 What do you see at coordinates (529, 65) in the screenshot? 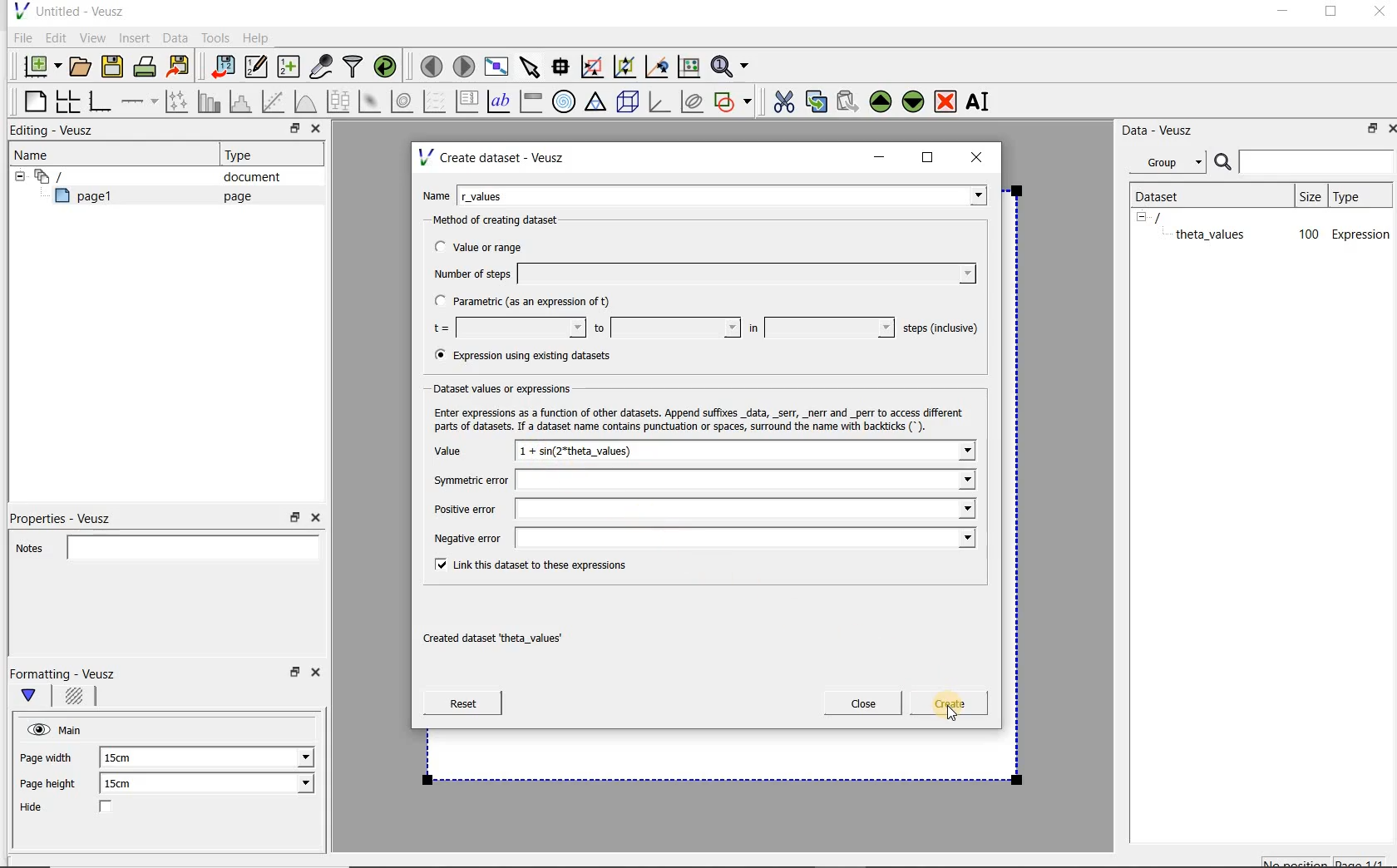
I see `select items from the graph or scroll` at bounding box center [529, 65].